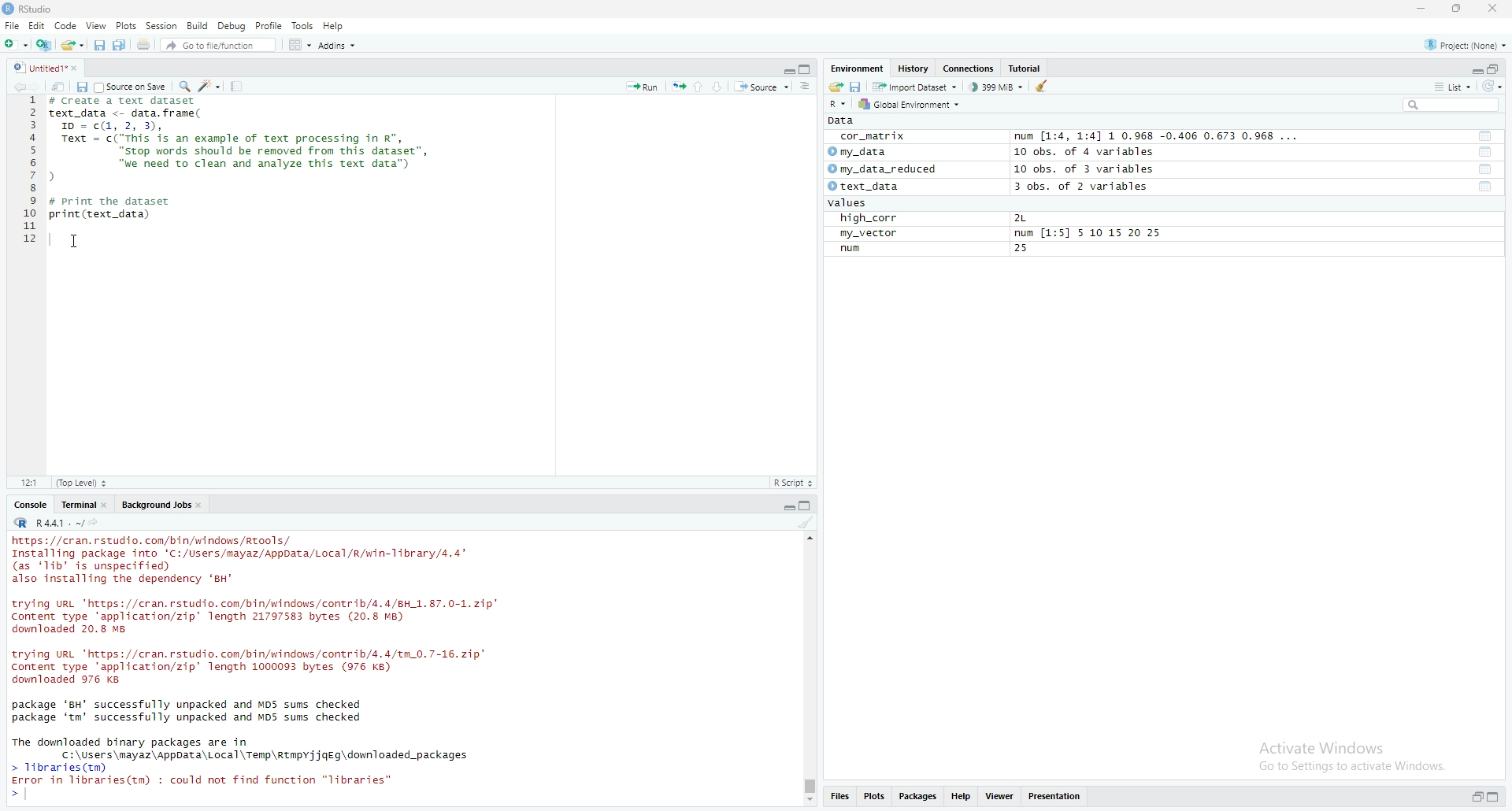  Describe the element at coordinates (1484, 169) in the screenshot. I see `functions ` at that location.